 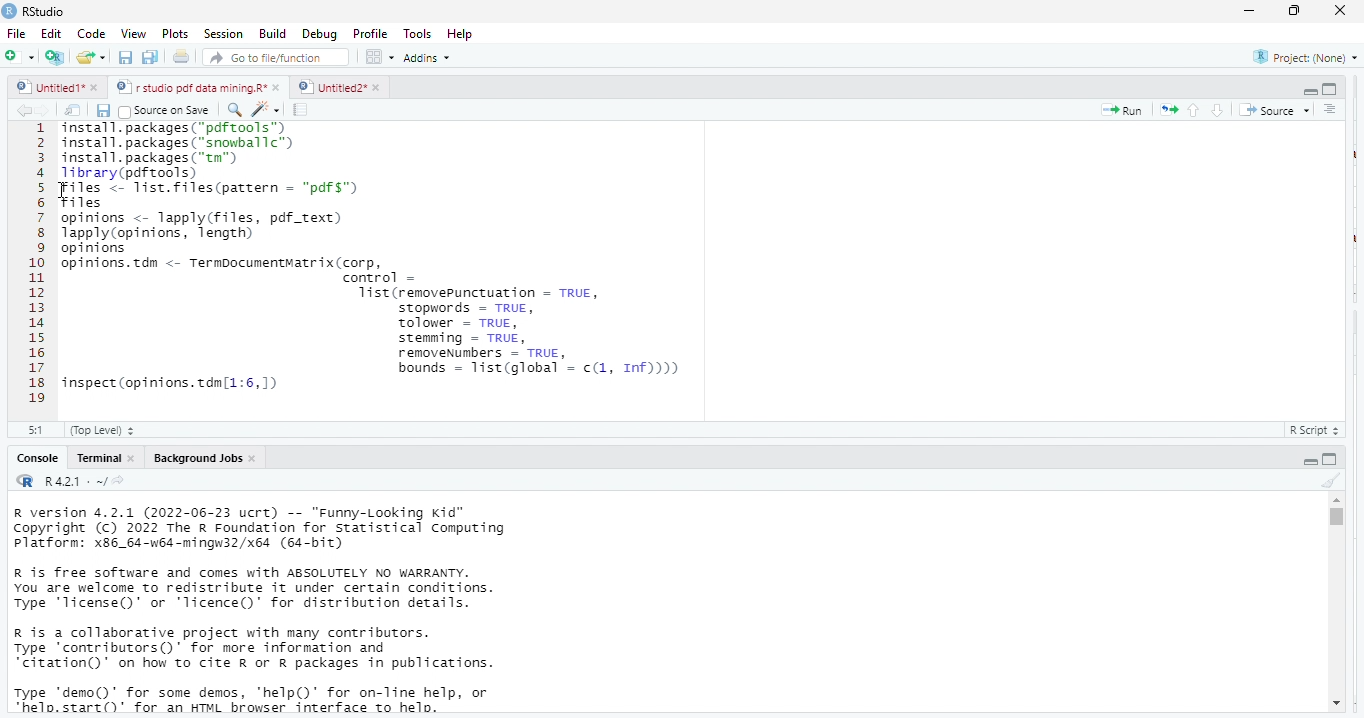 What do you see at coordinates (190, 88) in the screenshot?
I see `rs studio pdf data mining r` at bounding box center [190, 88].